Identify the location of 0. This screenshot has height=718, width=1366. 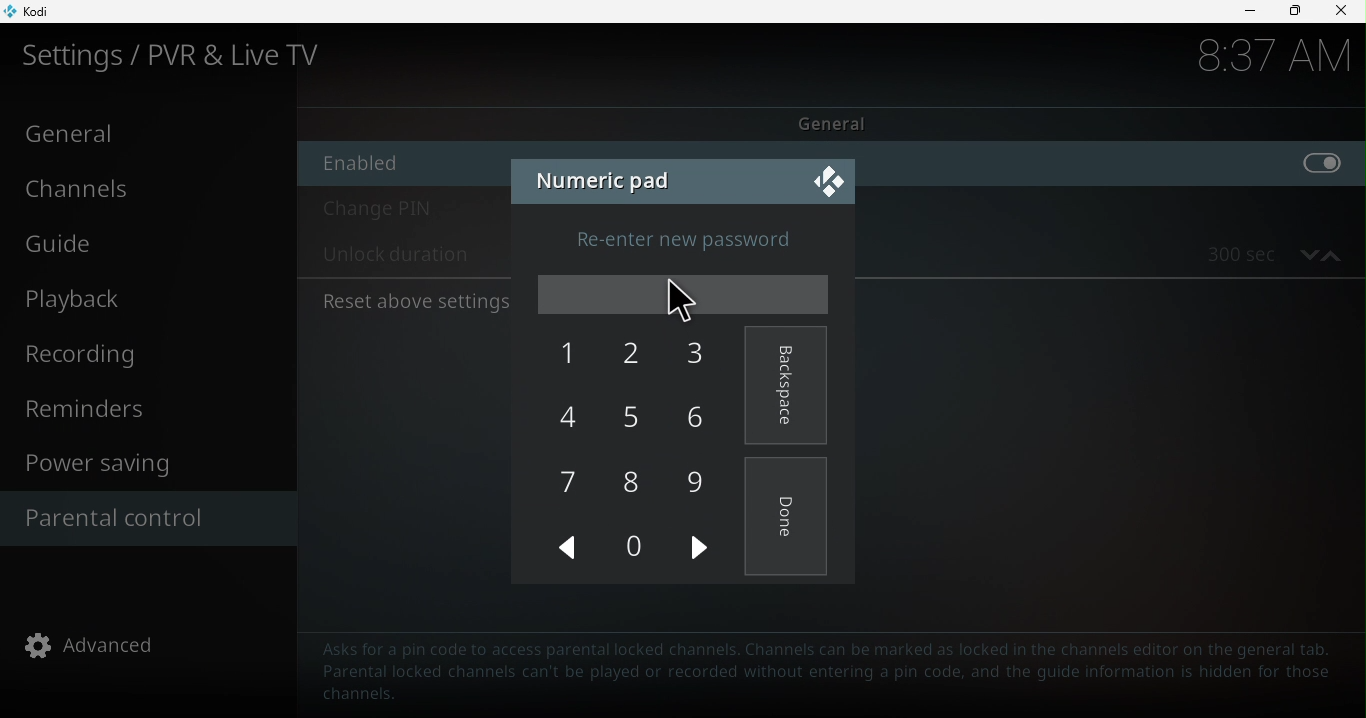
(646, 550).